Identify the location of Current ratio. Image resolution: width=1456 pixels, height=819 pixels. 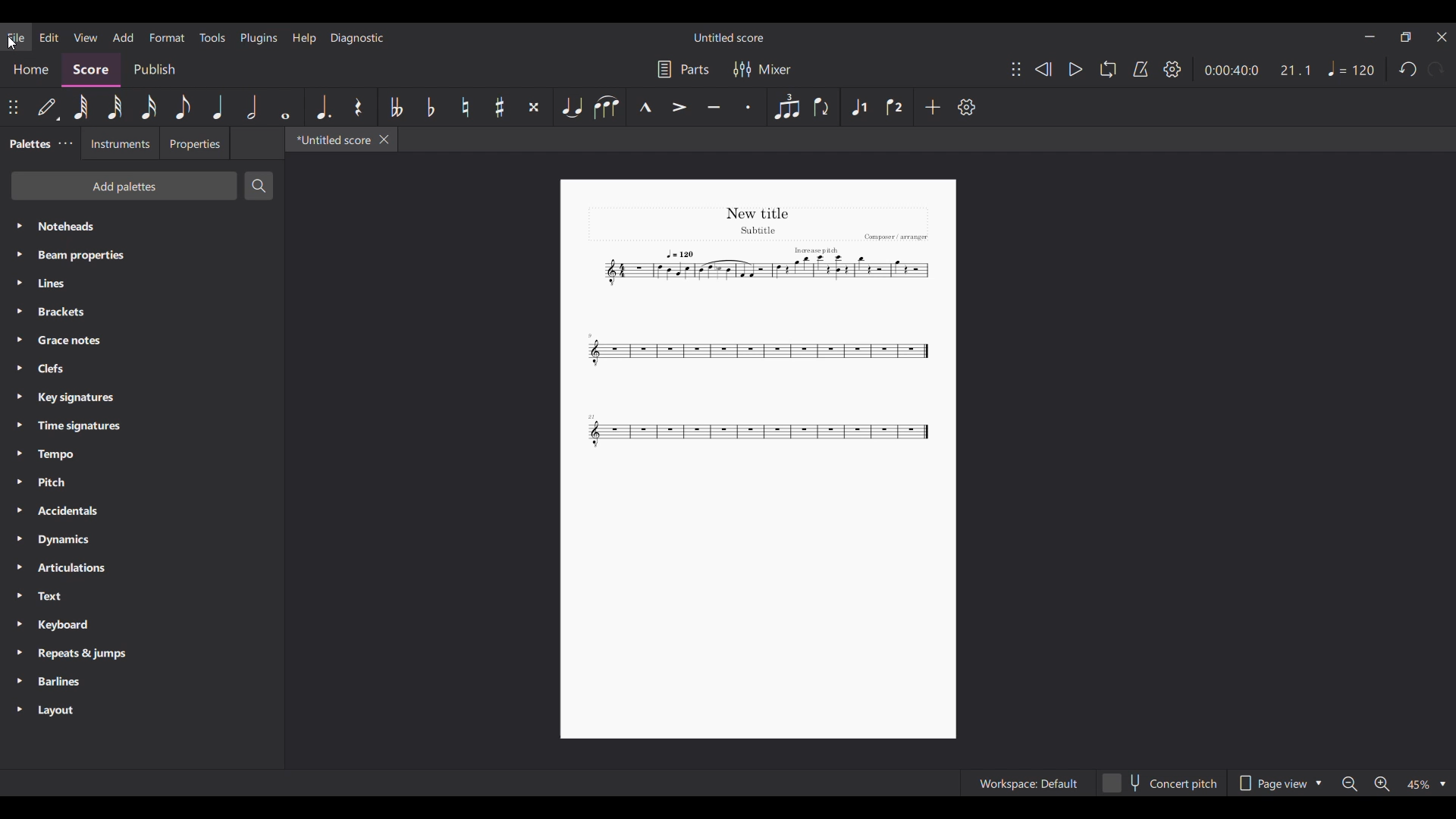
(1295, 70).